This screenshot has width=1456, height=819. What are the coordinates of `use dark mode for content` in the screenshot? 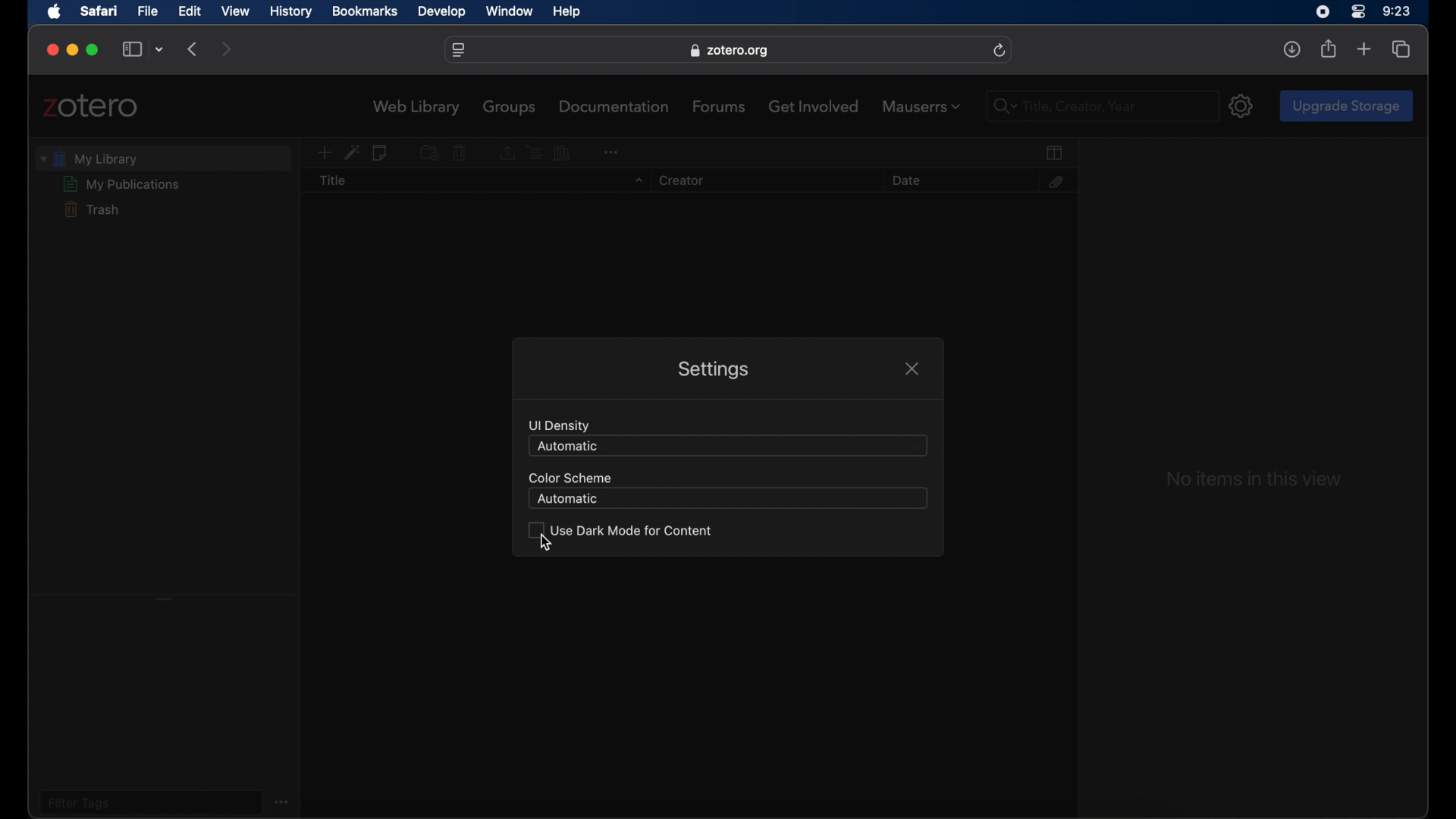 It's located at (620, 530).